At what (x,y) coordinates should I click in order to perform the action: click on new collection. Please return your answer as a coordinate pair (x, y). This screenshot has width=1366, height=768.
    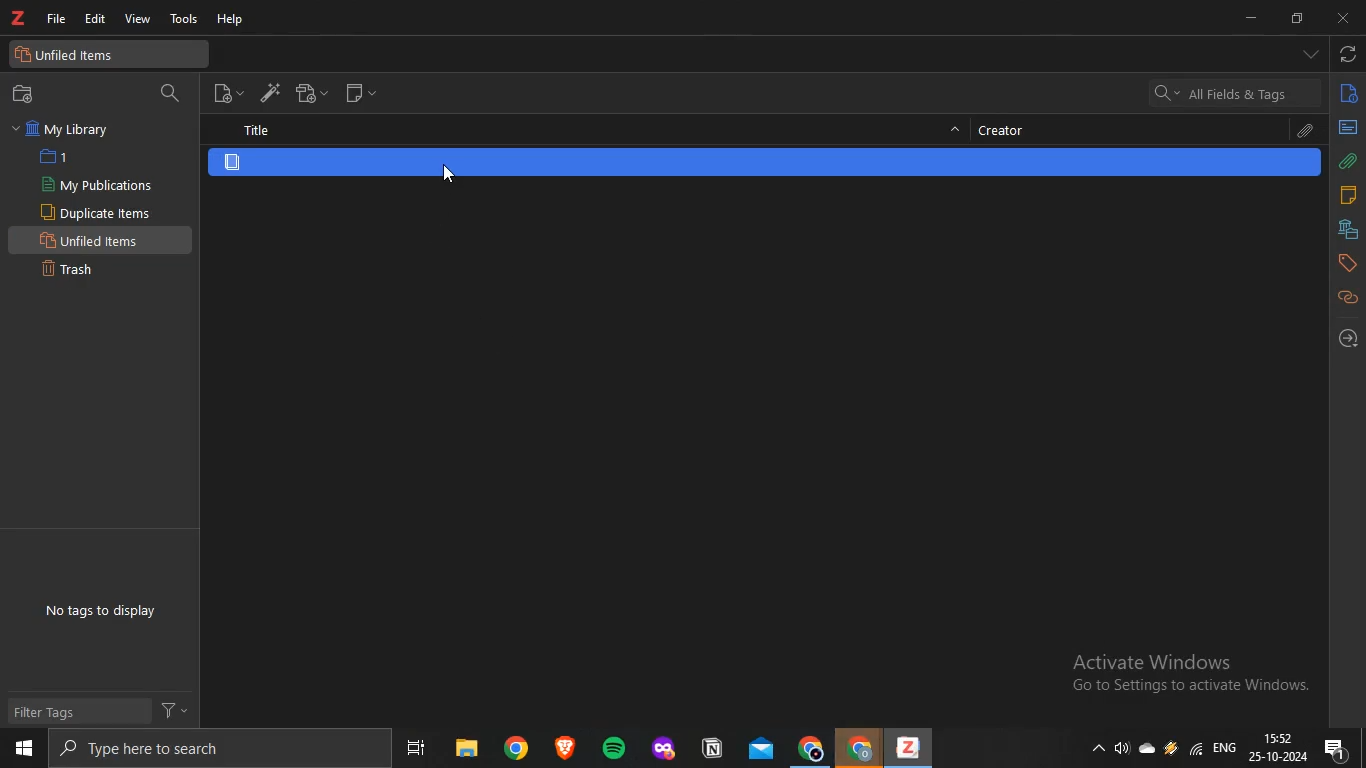
    Looking at the image, I should click on (27, 94).